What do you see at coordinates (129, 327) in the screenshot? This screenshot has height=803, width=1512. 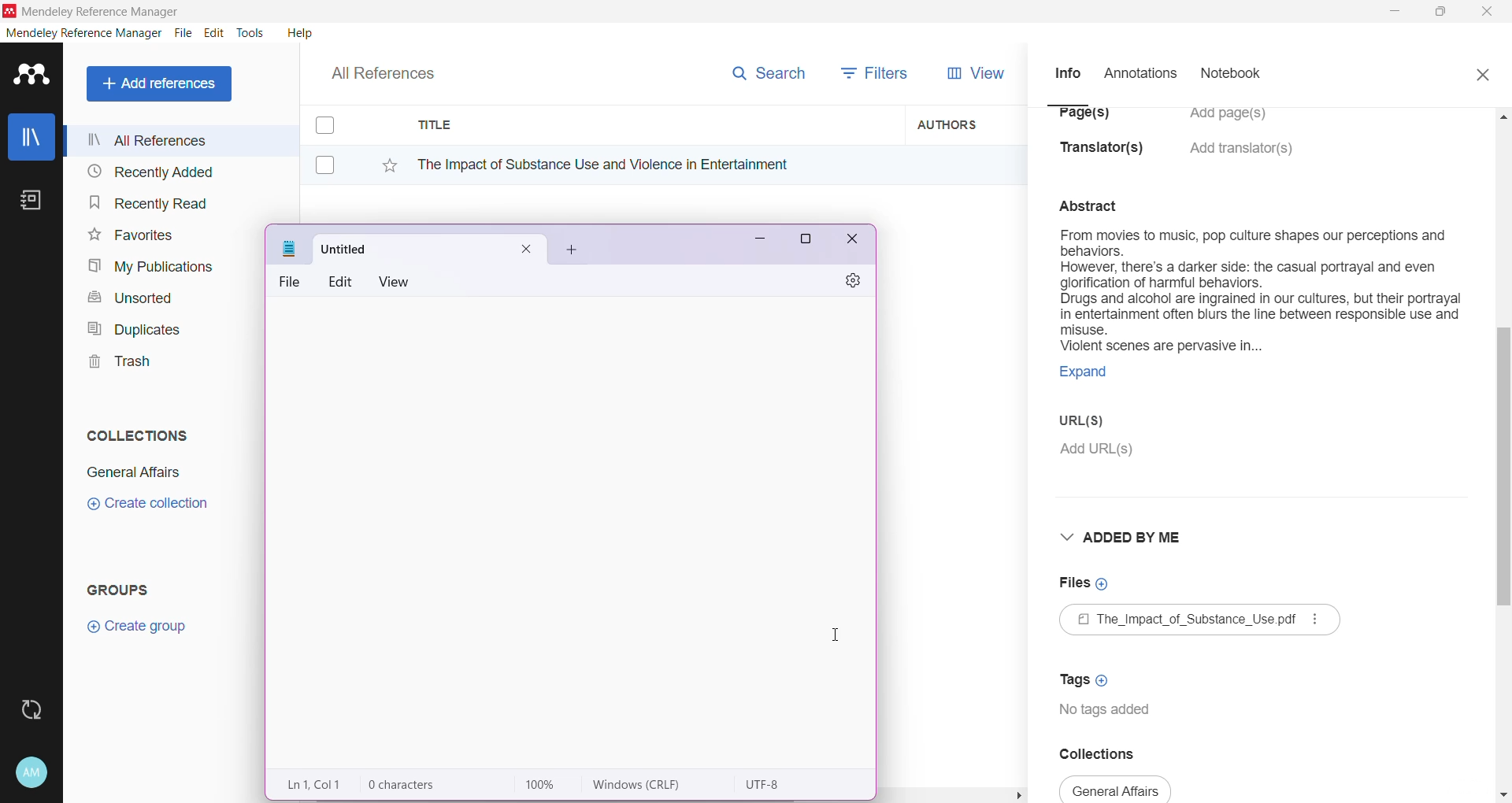 I see `Duplicates` at bounding box center [129, 327].